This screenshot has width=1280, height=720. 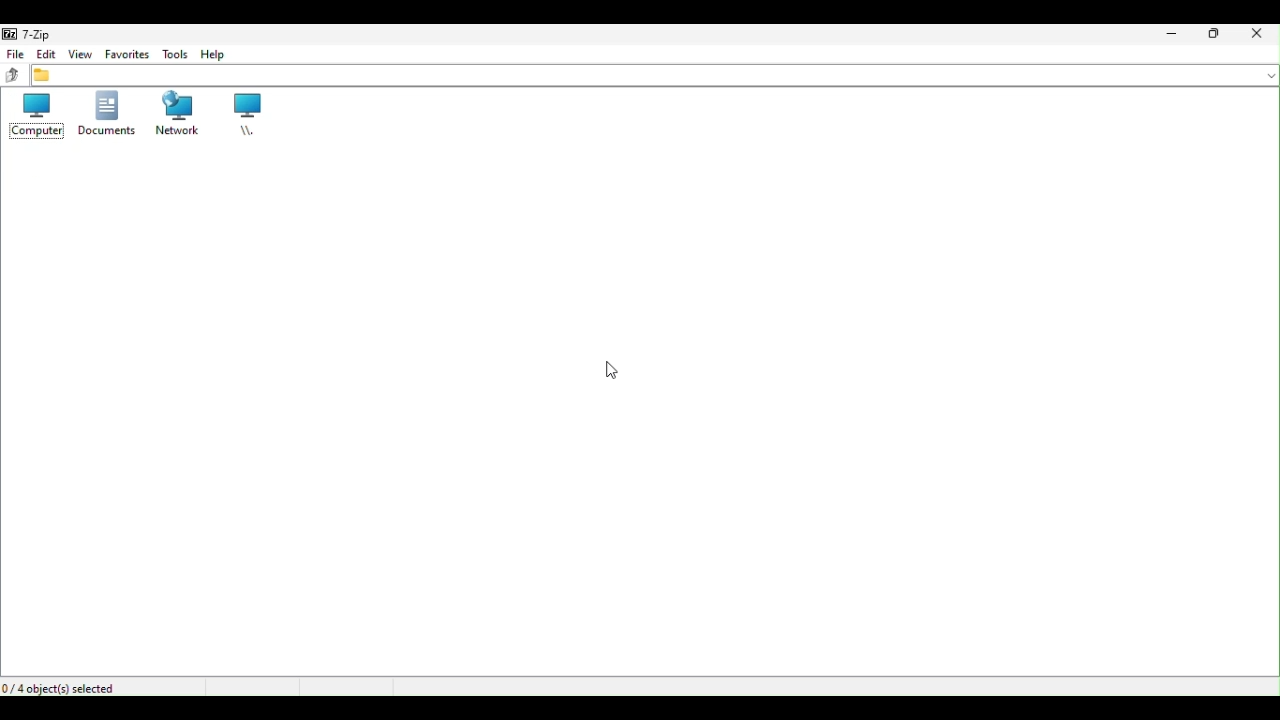 What do you see at coordinates (1261, 33) in the screenshot?
I see `Clothes` at bounding box center [1261, 33].